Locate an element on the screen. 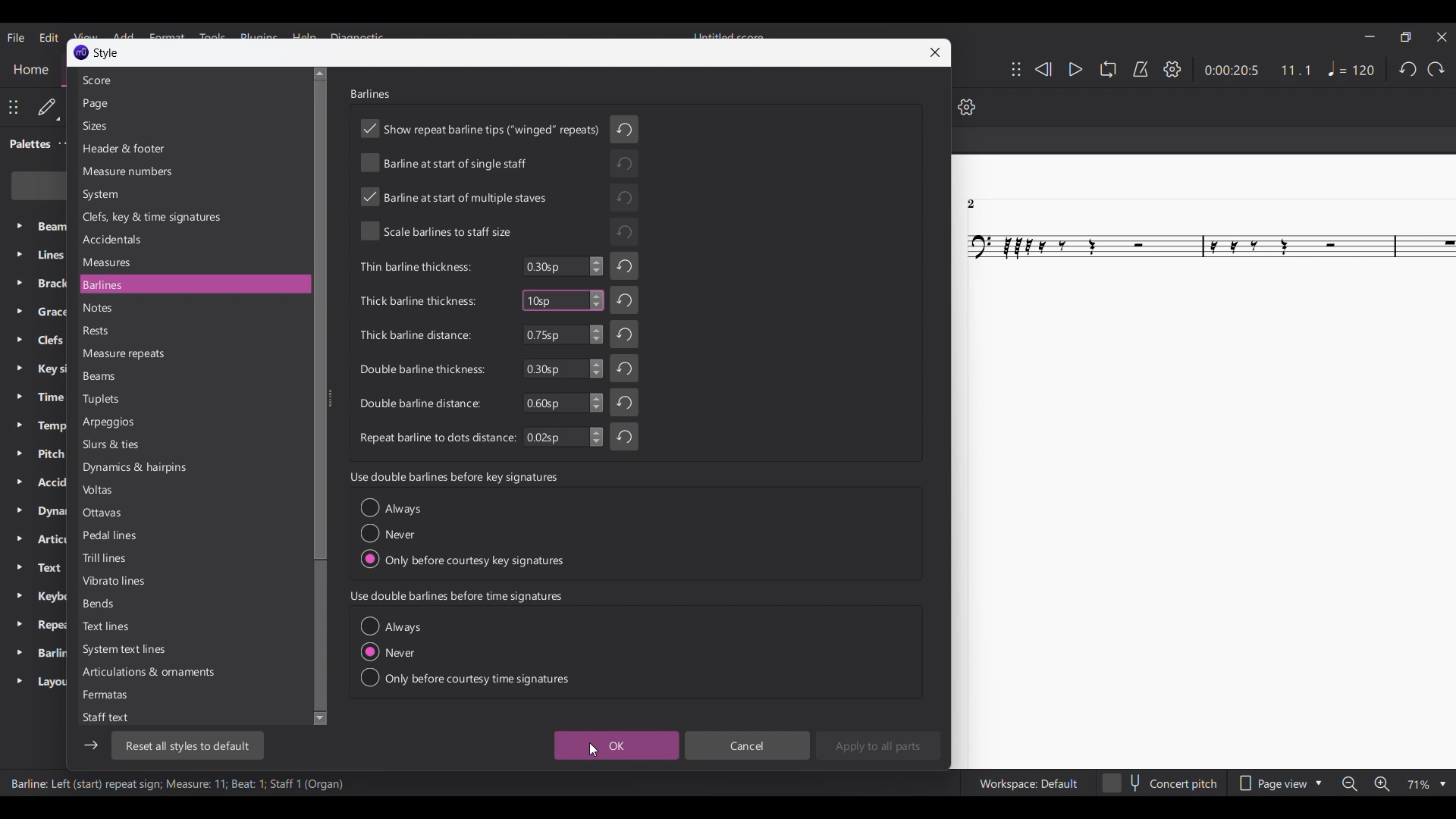 The height and width of the screenshot is (819, 1456). Metronome is located at coordinates (1141, 69).